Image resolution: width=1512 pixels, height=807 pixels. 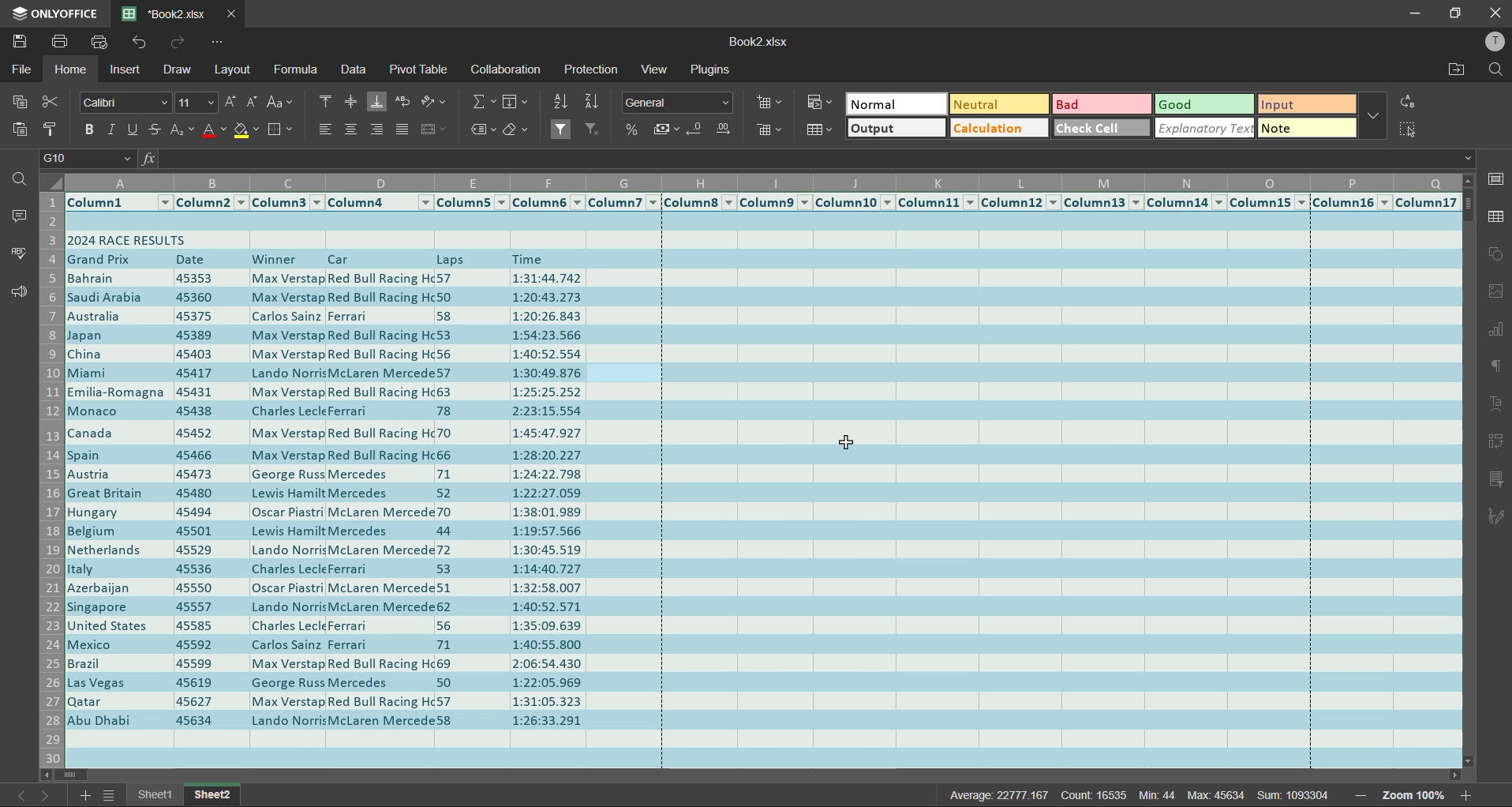 I want to click on pivot table, so click(x=1495, y=440).